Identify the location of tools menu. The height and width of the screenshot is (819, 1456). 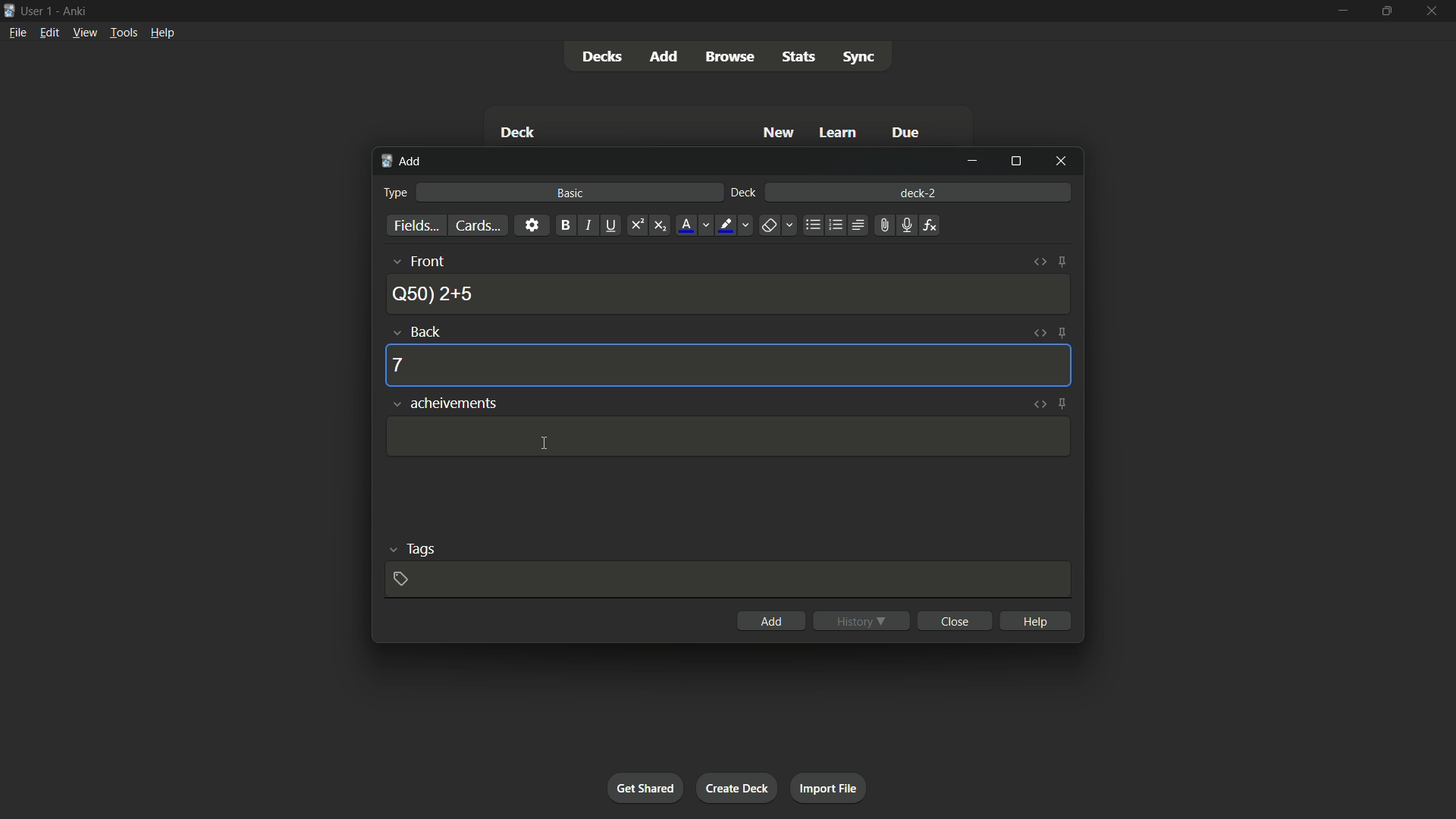
(124, 33).